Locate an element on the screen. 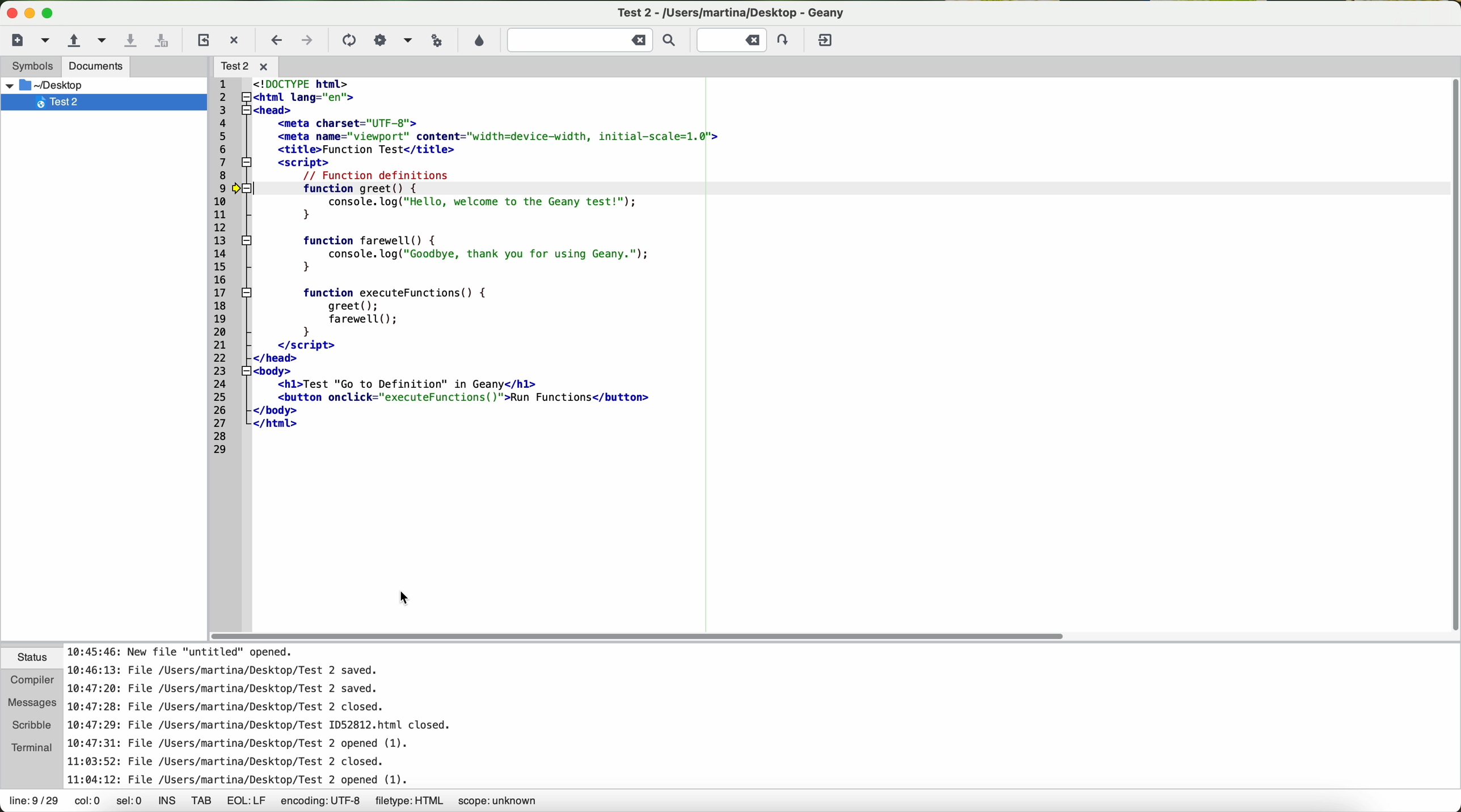 The height and width of the screenshot is (812, 1461). quit the current file is located at coordinates (235, 40).